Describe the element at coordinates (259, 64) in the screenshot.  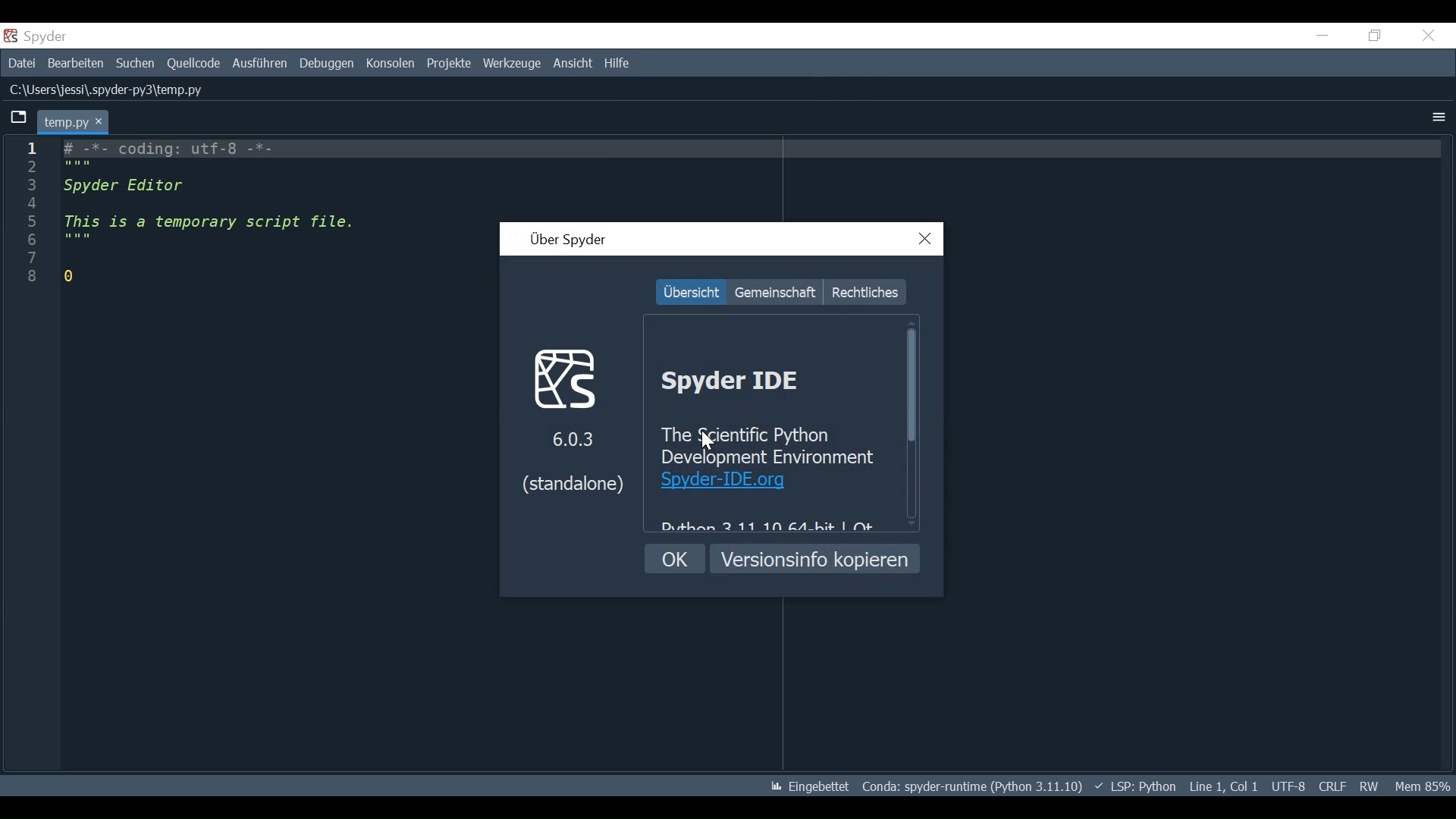
I see `Run` at that location.